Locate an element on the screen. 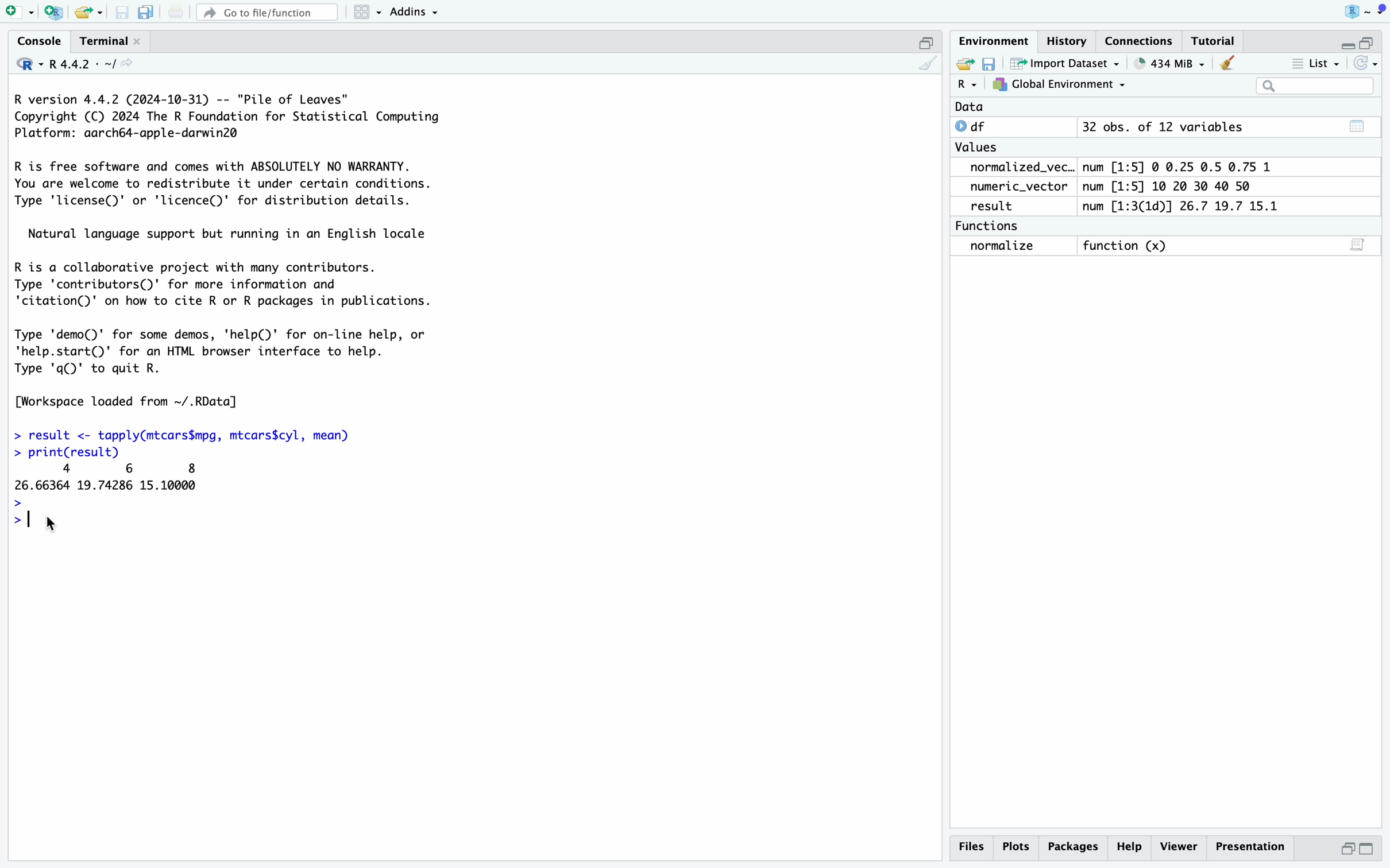 This screenshot has height=868, width=1390. R version 4.4.2 (2024-10-31) -- "Pile of Leaves"
Copyright (C) 2024 The R Foundation for Statistical Computing
Platform: aarch64-apple-darwin2@
R is free software and comes with ABSOLUTELY NO WARRANTY.
You are welcome to redistribute it under certain conditions.
Type 'license()' or 'licence()' for distribution details.

Natural language support but running in an English locale
R is a collaborative project with many contributors.
Type 'contributors()' for more information and
'citation()' on how to cite R or R packages in publications.
Type 'demo()' for some demos, 'help(D' for on-line help, or
'help.start()' for an HTML browser interface to help.
Type 'q()' to quit R.
[Workspace loaded from ~/.RData]
> result <- tapply(mtcars$mpg, mtcars$cyl, mean)
> print(result)

4 6 8

26.66364 19.74286 15.10000
>
> | rx is located at coordinates (476, 468).